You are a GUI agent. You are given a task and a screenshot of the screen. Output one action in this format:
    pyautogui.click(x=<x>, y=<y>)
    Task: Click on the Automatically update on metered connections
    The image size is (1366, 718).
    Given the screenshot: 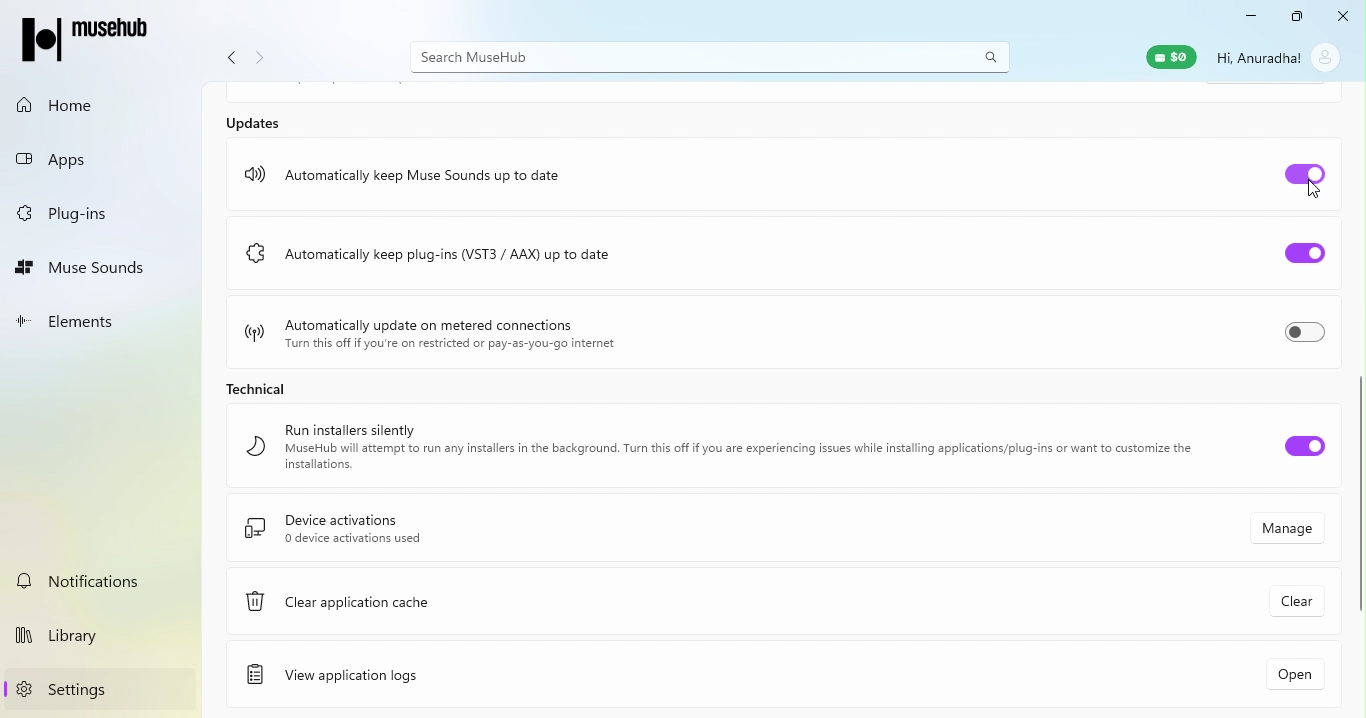 What is the action you would take?
    pyautogui.click(x=445, y=334)
    